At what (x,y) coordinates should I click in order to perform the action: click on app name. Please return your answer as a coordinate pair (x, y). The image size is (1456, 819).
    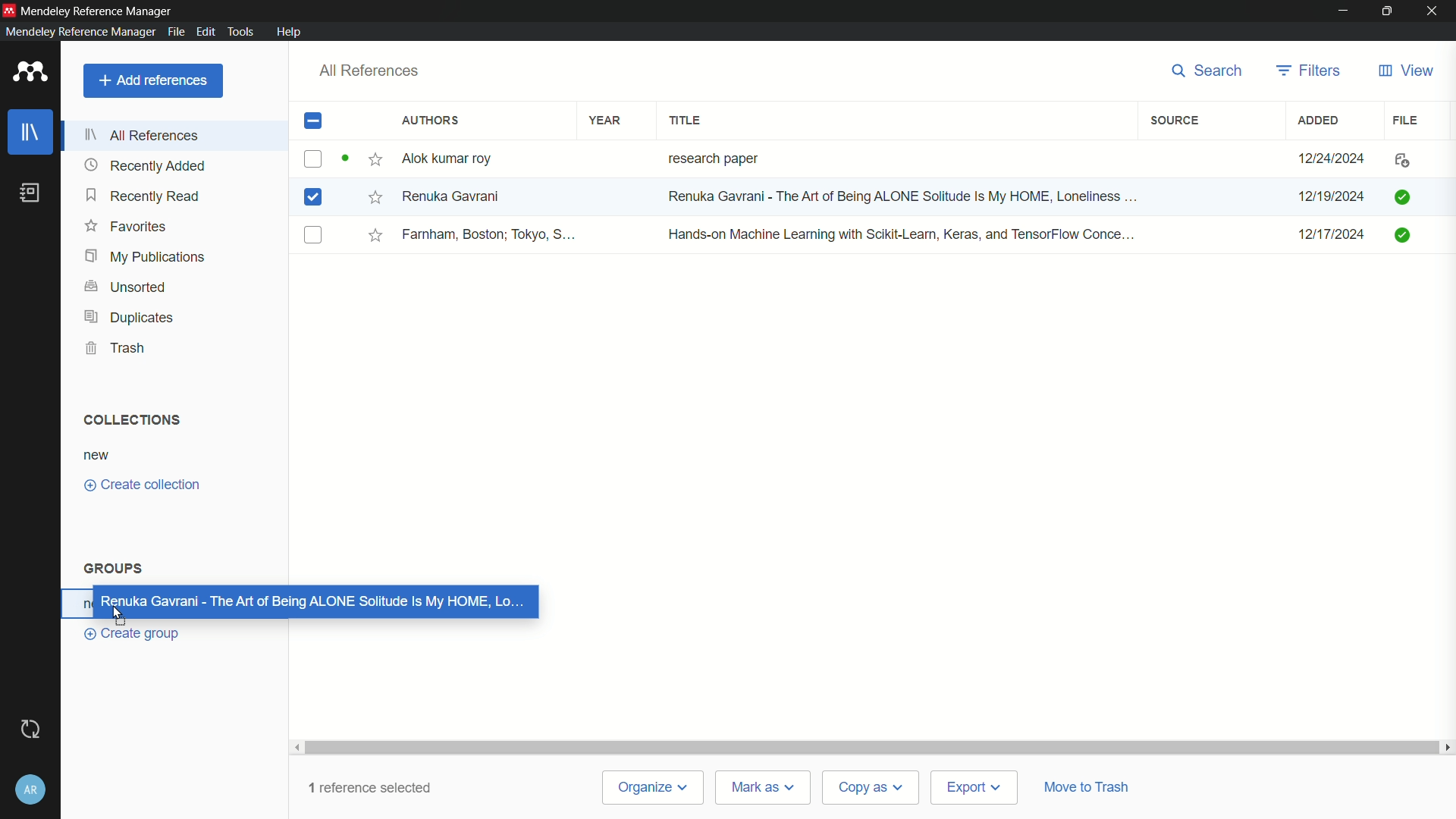
    Looking at the image, I should click on (77, 32).